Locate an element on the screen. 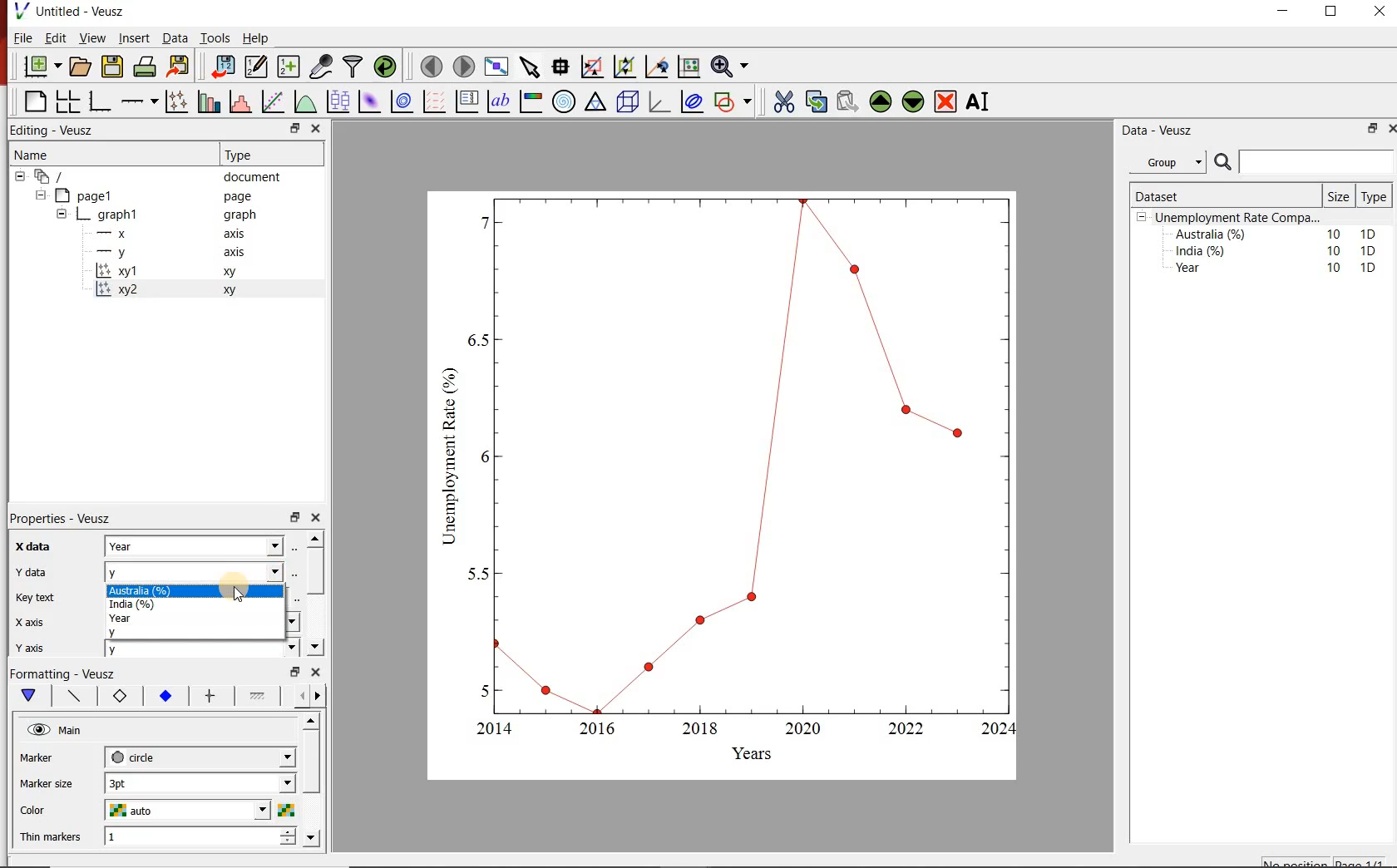  Unemployment Rate Compa... is located at coordinates (1239, 218).